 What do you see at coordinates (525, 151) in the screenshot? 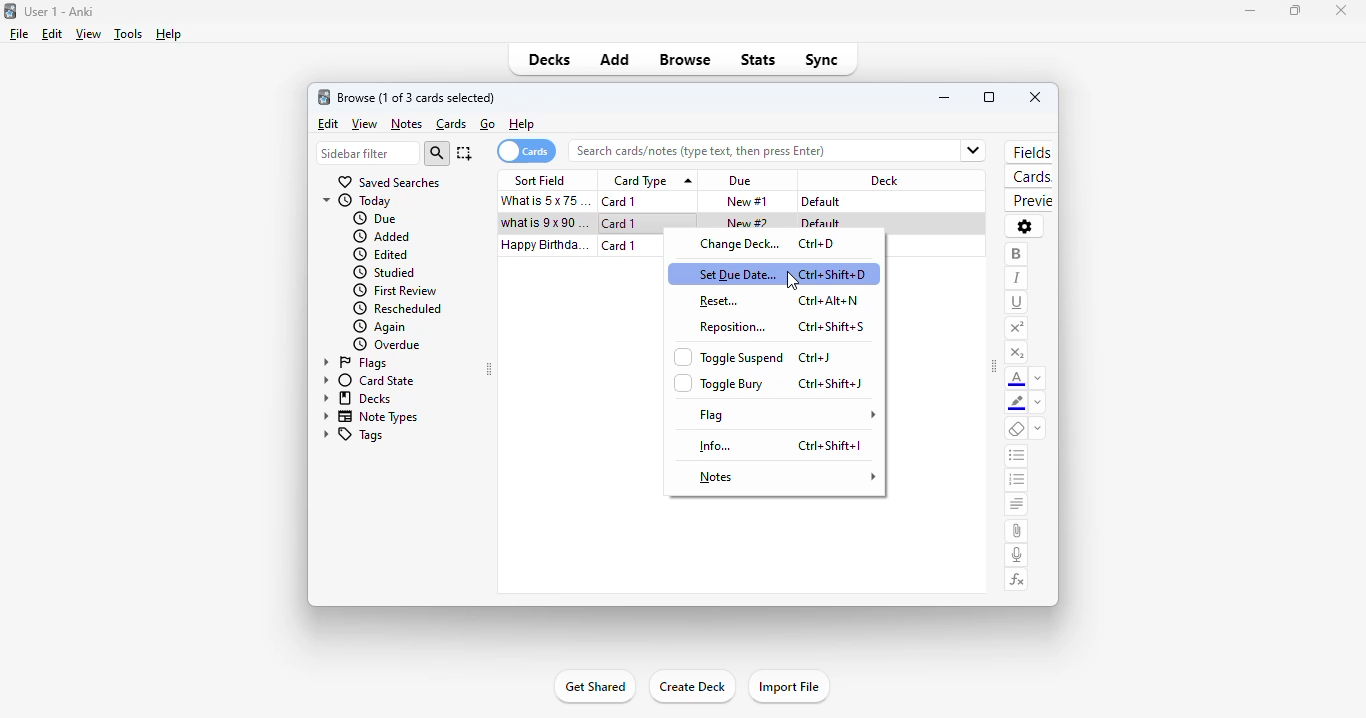
I see `cards` at bounding box center [525, 151].